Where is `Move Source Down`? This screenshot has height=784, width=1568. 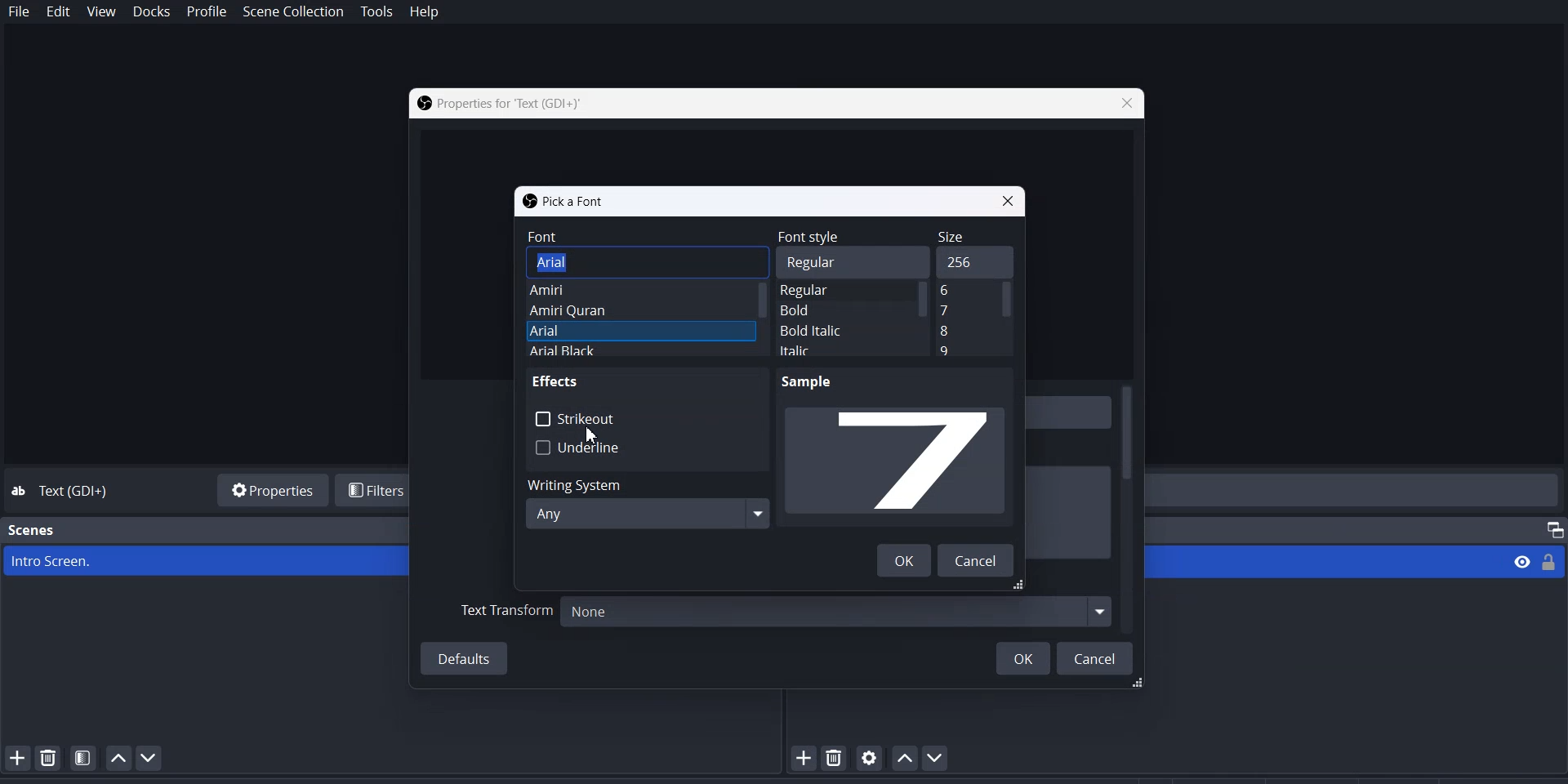
Move Source Down is located at coordinates (938, 757).